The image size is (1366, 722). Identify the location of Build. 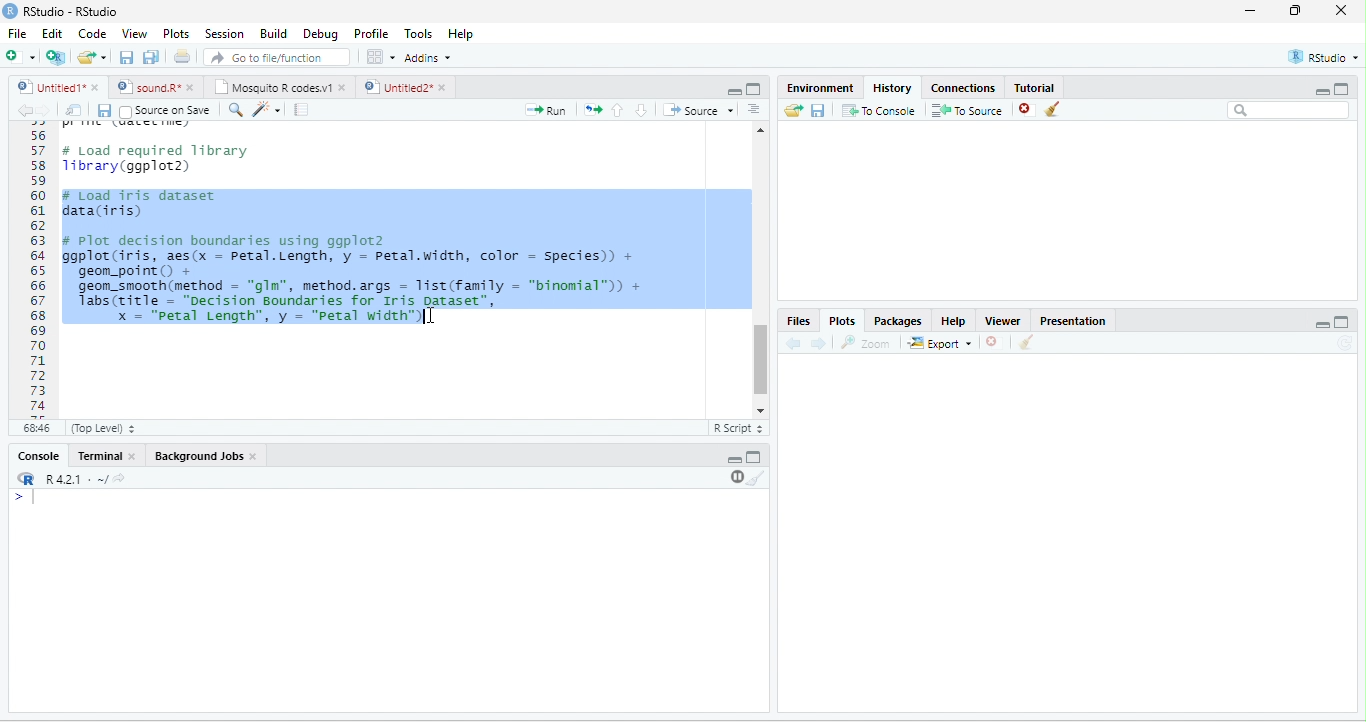
(275, 34).